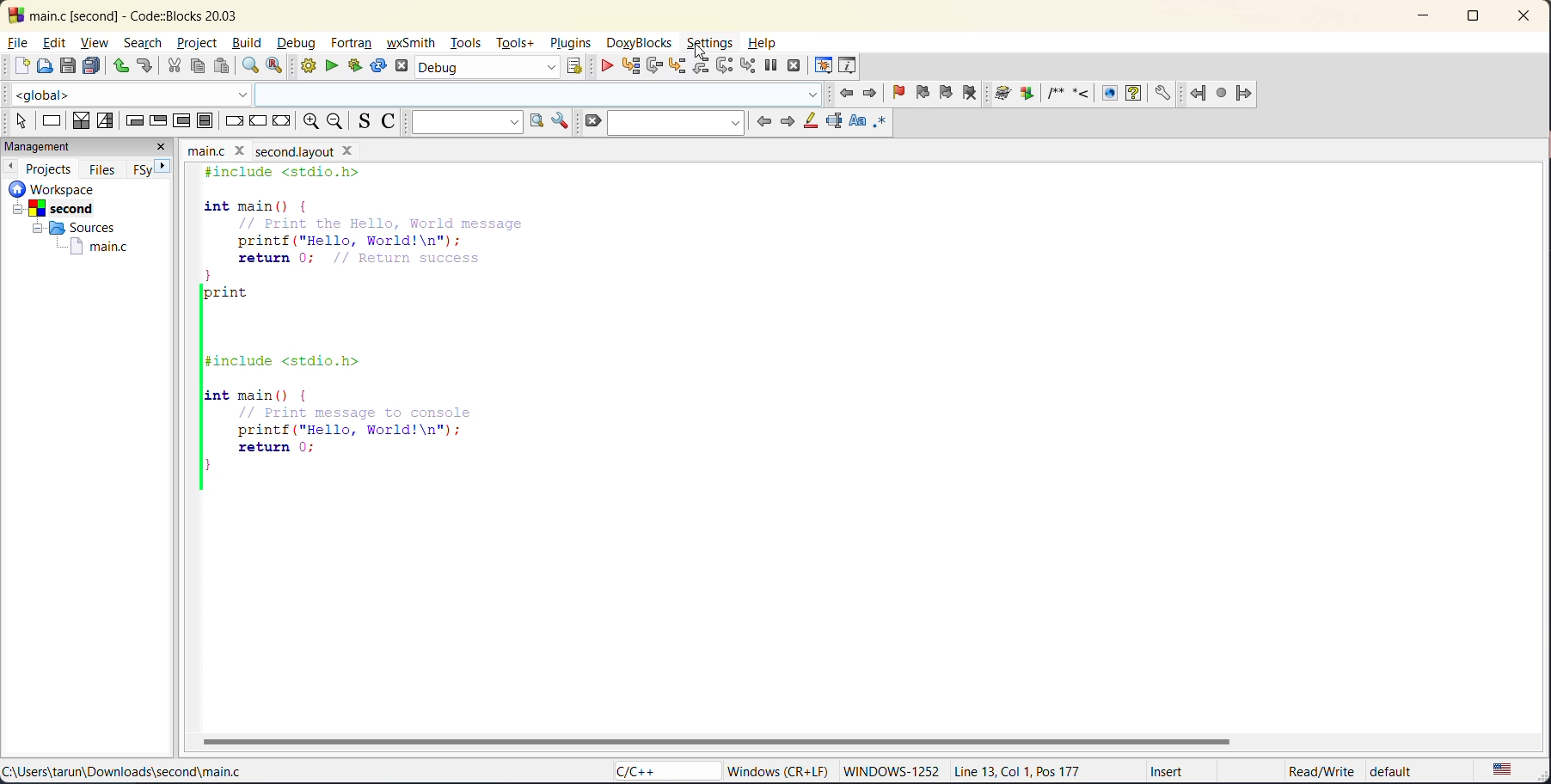  Describe the element at coordinates (184, 120) in the screenshot. I see `counting loop` at that location.